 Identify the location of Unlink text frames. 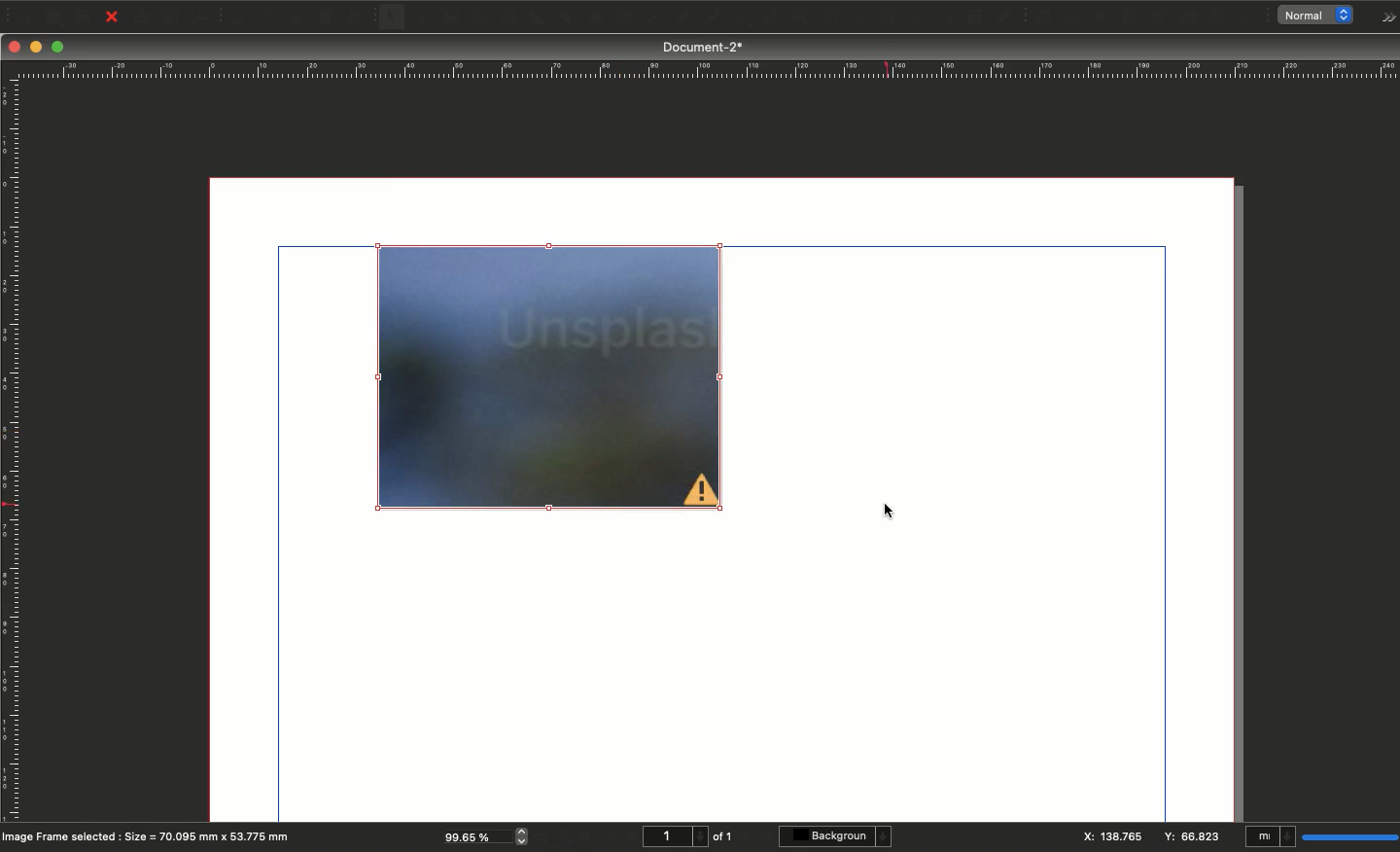
(911, 17).